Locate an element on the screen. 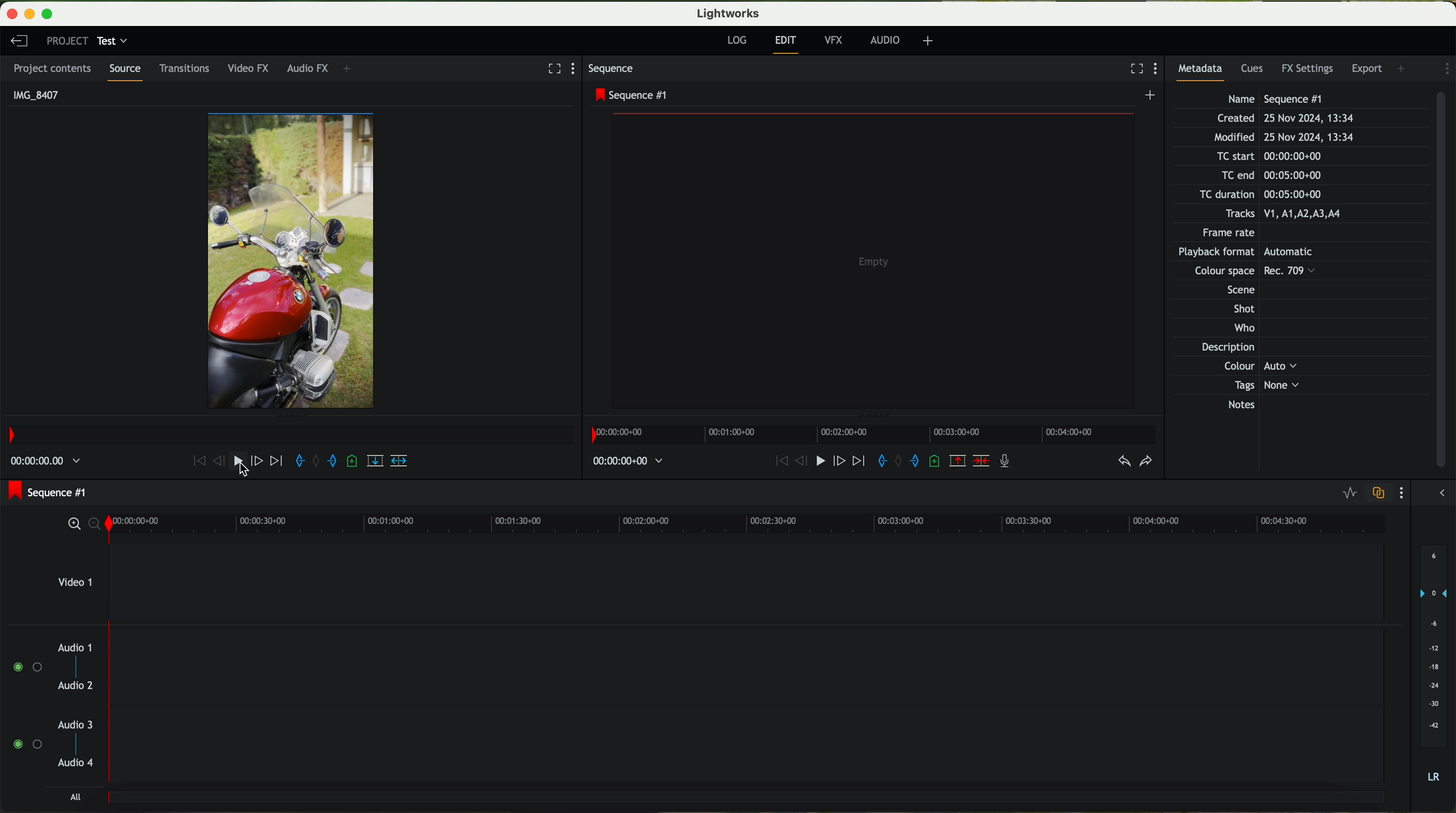 Image resolution: width=1456 pixels, height=813 pixels. video preview is located at coordinates (873, 260).